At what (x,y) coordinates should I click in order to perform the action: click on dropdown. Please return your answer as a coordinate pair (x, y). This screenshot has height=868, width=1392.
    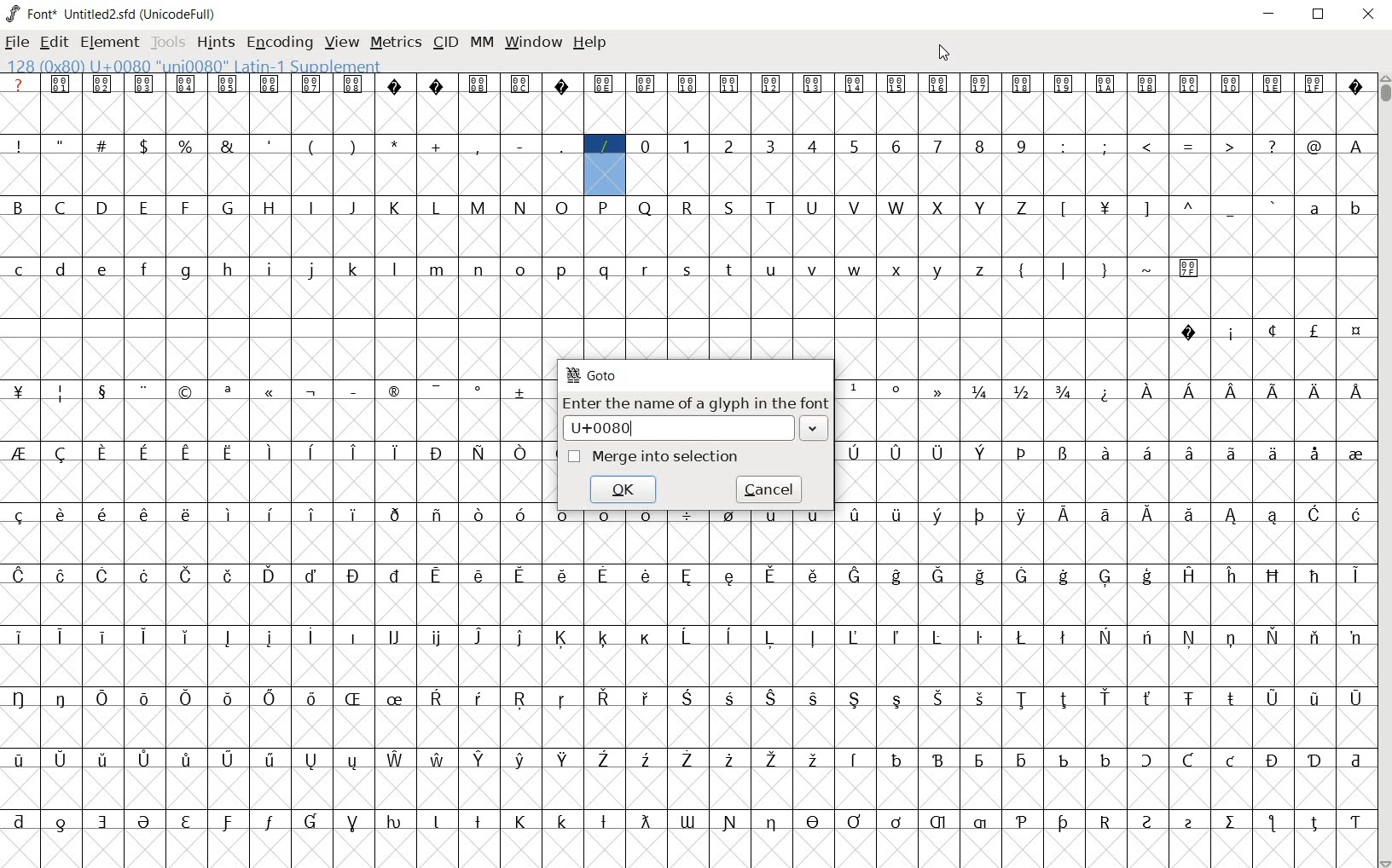
    Looking at the image, I should click on (815, 427).